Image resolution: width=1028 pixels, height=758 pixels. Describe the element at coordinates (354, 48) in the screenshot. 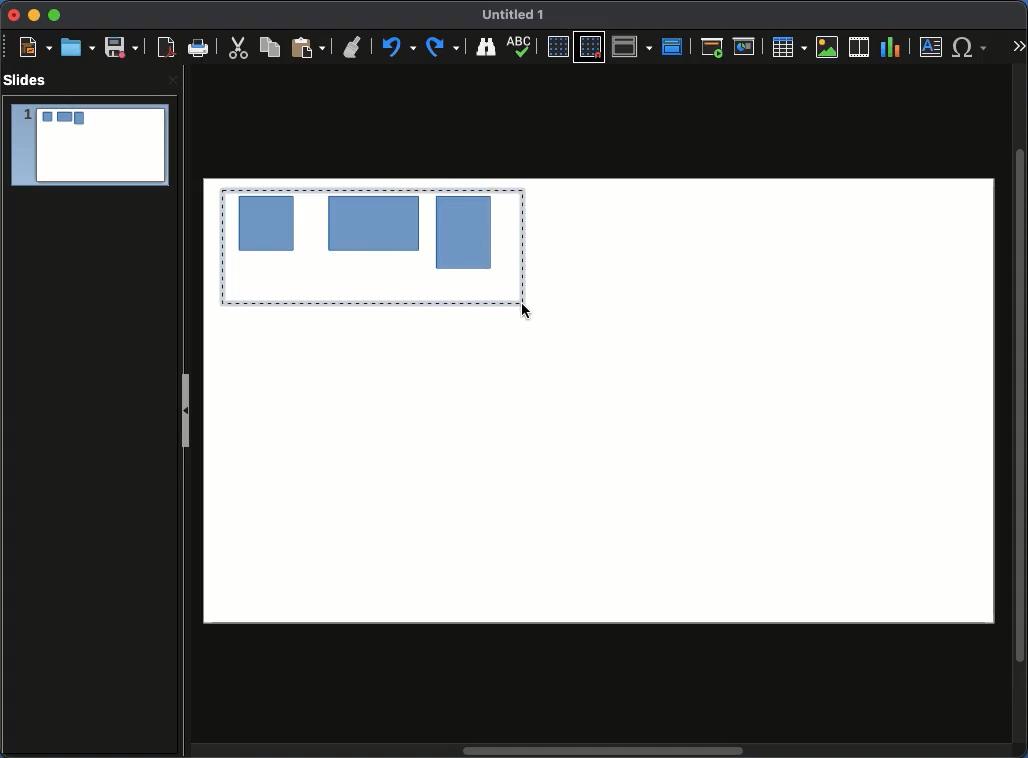

I see `Clone formatting` at that location.